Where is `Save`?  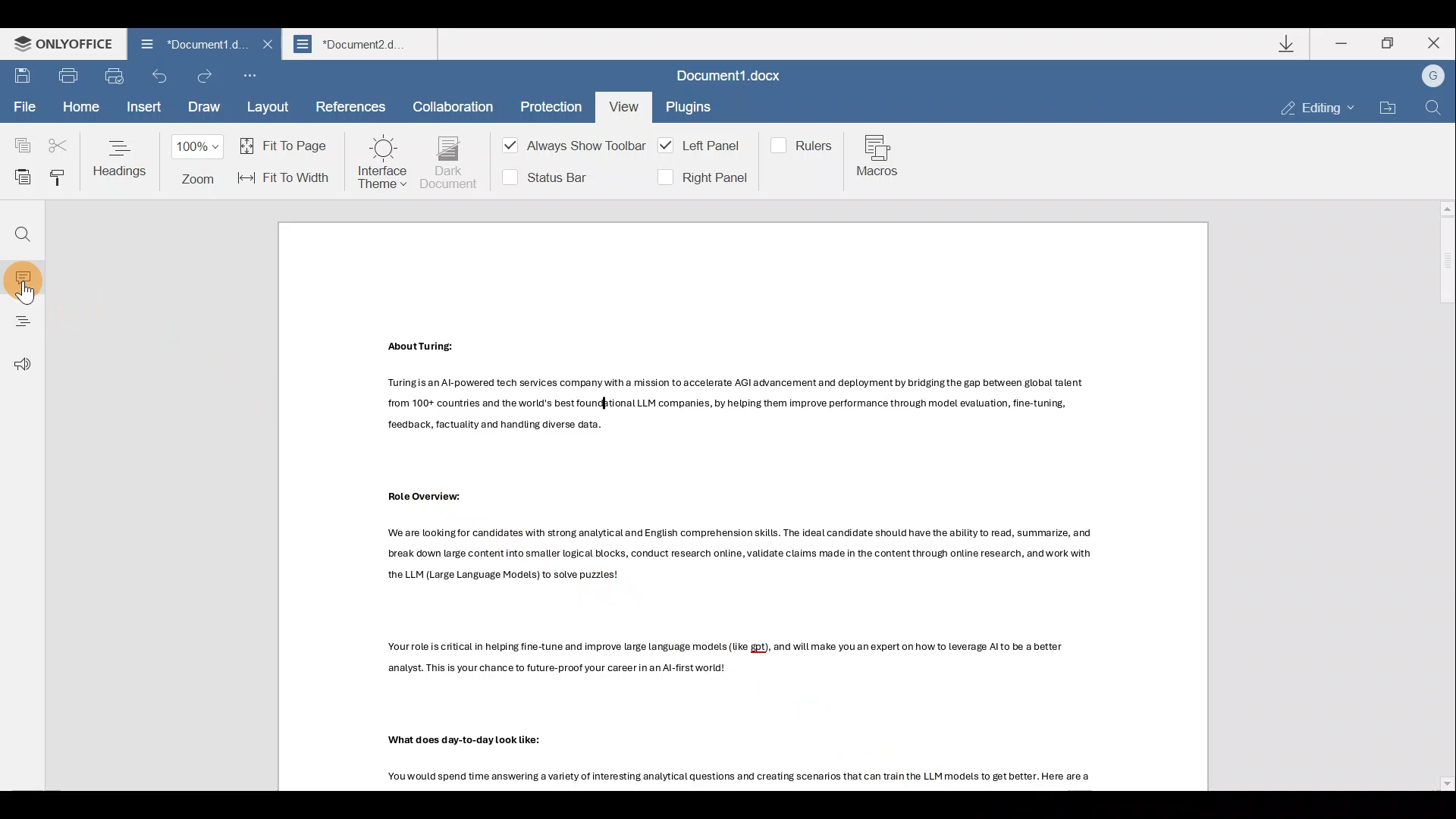 Save is located at coordinates (23, 77).